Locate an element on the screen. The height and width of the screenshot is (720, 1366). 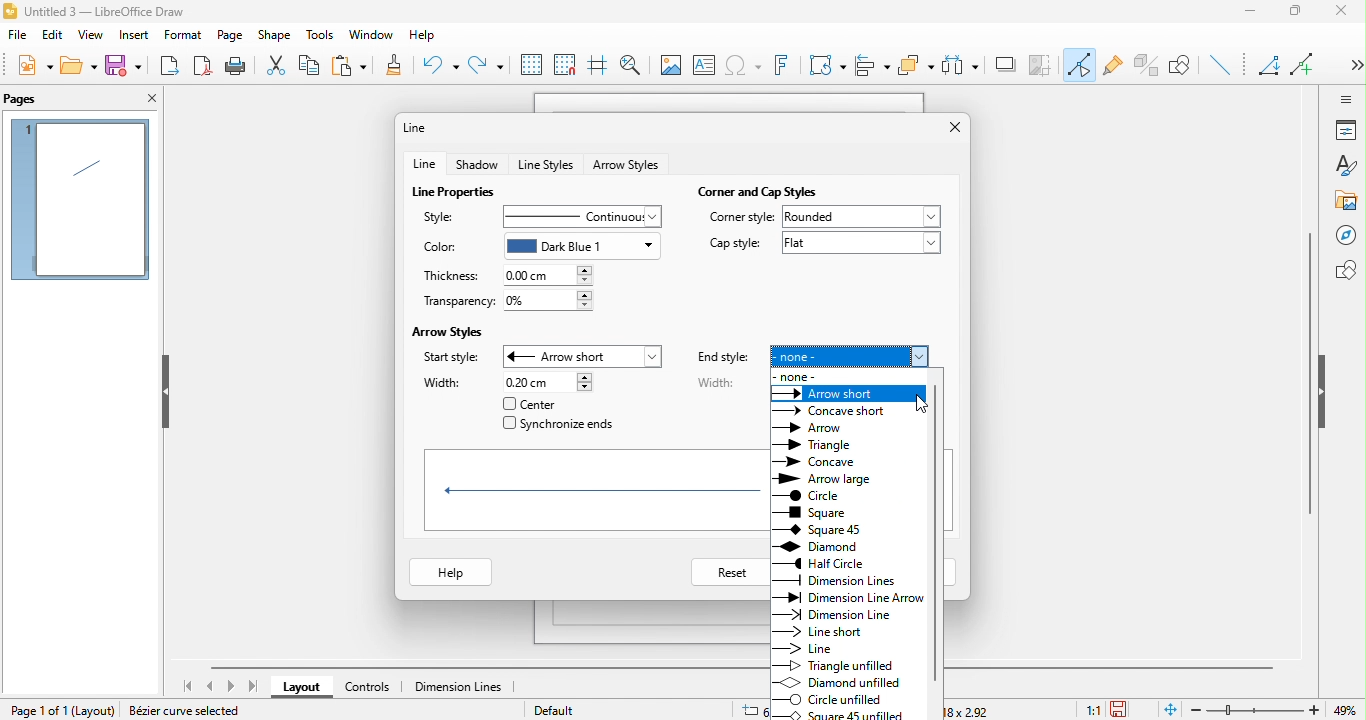
6.13/6.18 is located at coordinates (748, 710).